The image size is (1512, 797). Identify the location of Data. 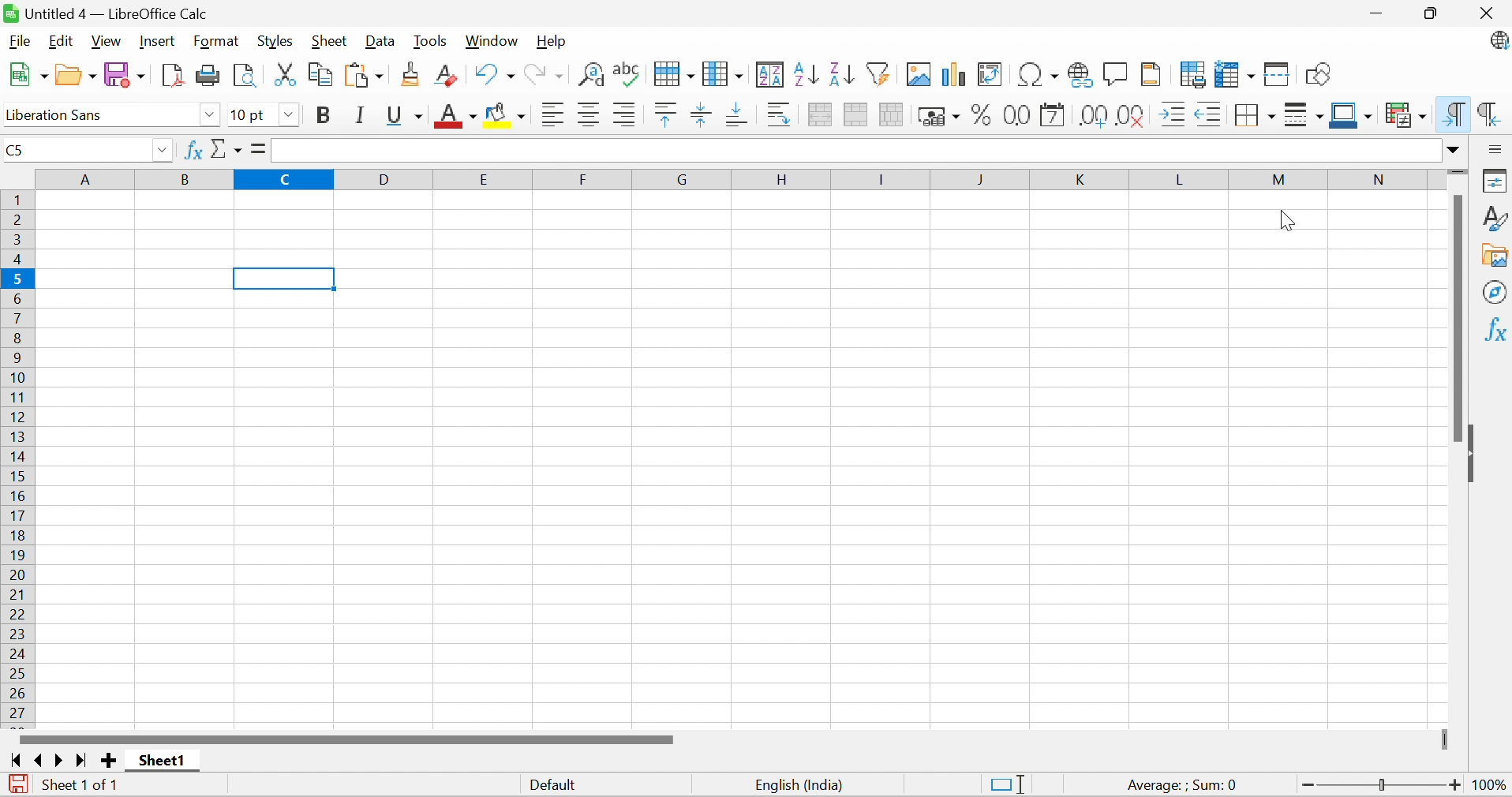
(378, 42).